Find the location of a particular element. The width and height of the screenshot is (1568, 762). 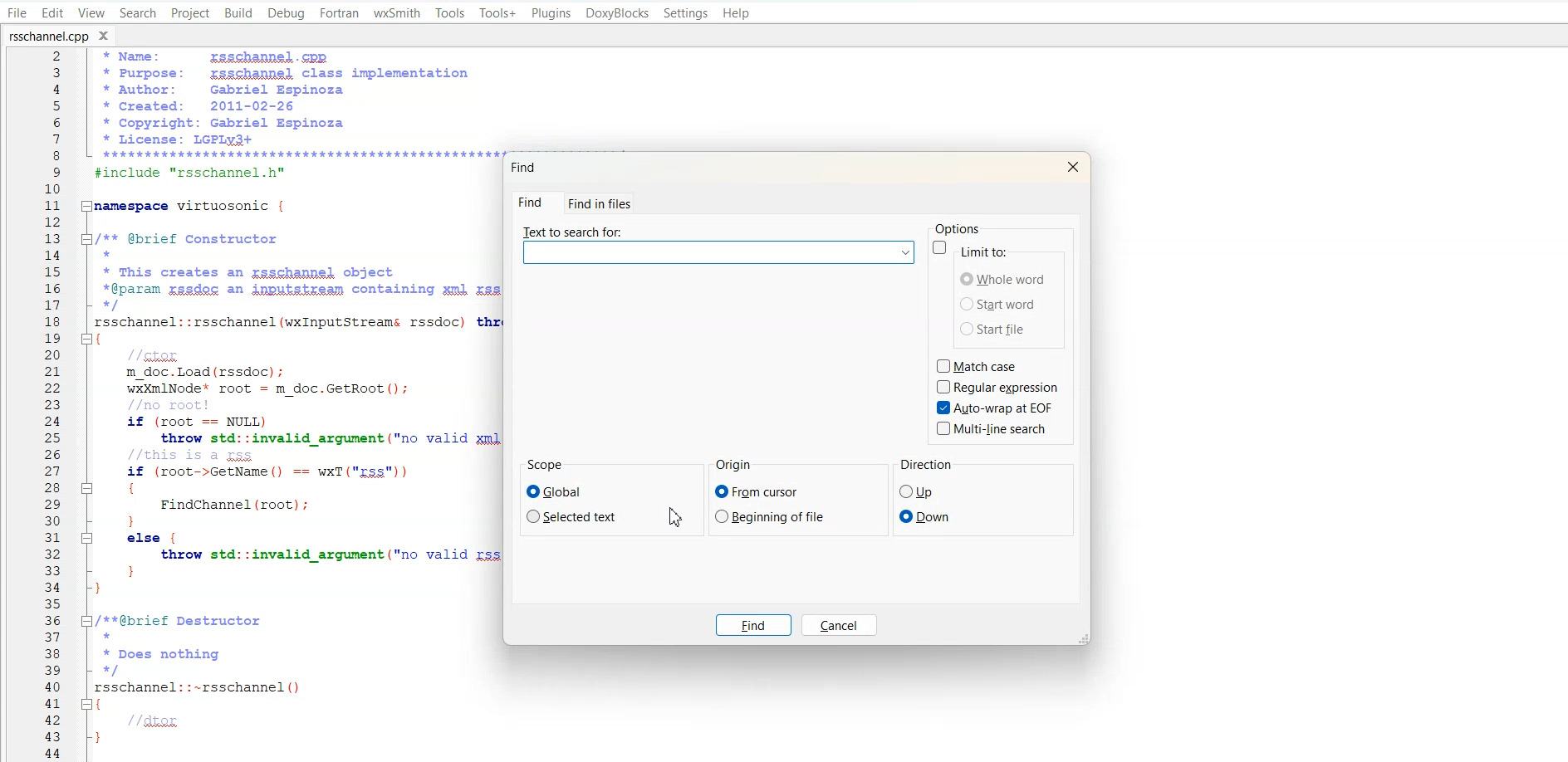

DoxyBlocks is located at coordinates (617, 12).